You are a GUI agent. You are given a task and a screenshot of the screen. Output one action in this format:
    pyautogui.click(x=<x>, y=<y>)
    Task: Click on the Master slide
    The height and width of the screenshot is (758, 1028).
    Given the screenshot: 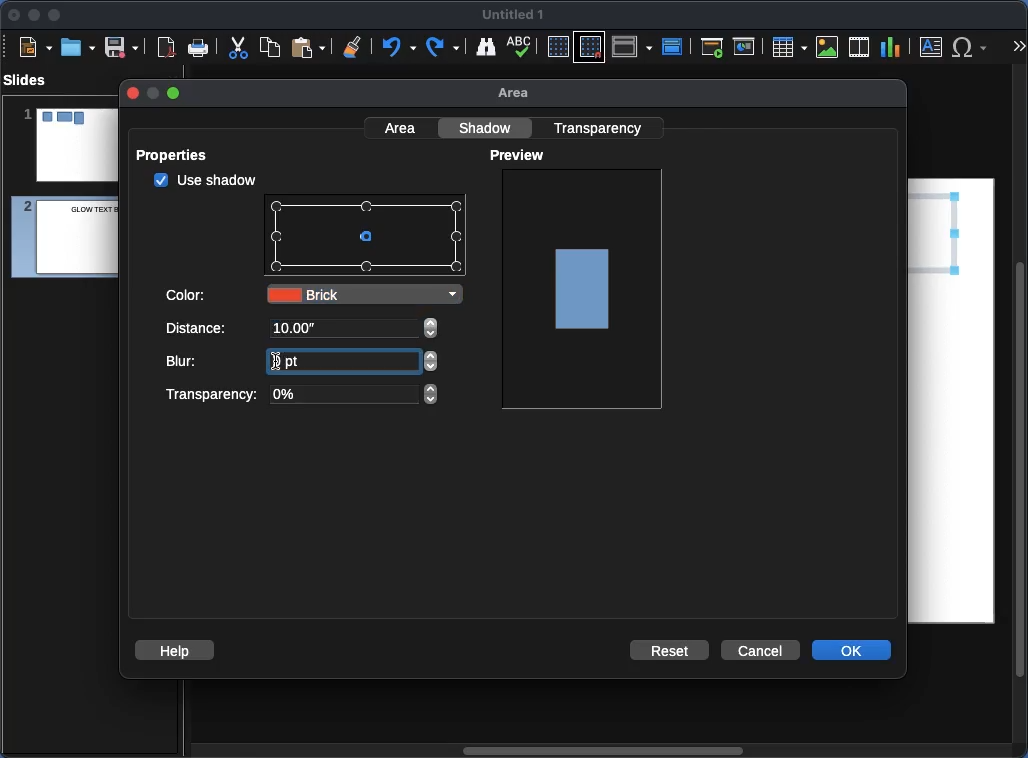 What is the action you would take?
    pyautogui.click(x=675, y=46)
    